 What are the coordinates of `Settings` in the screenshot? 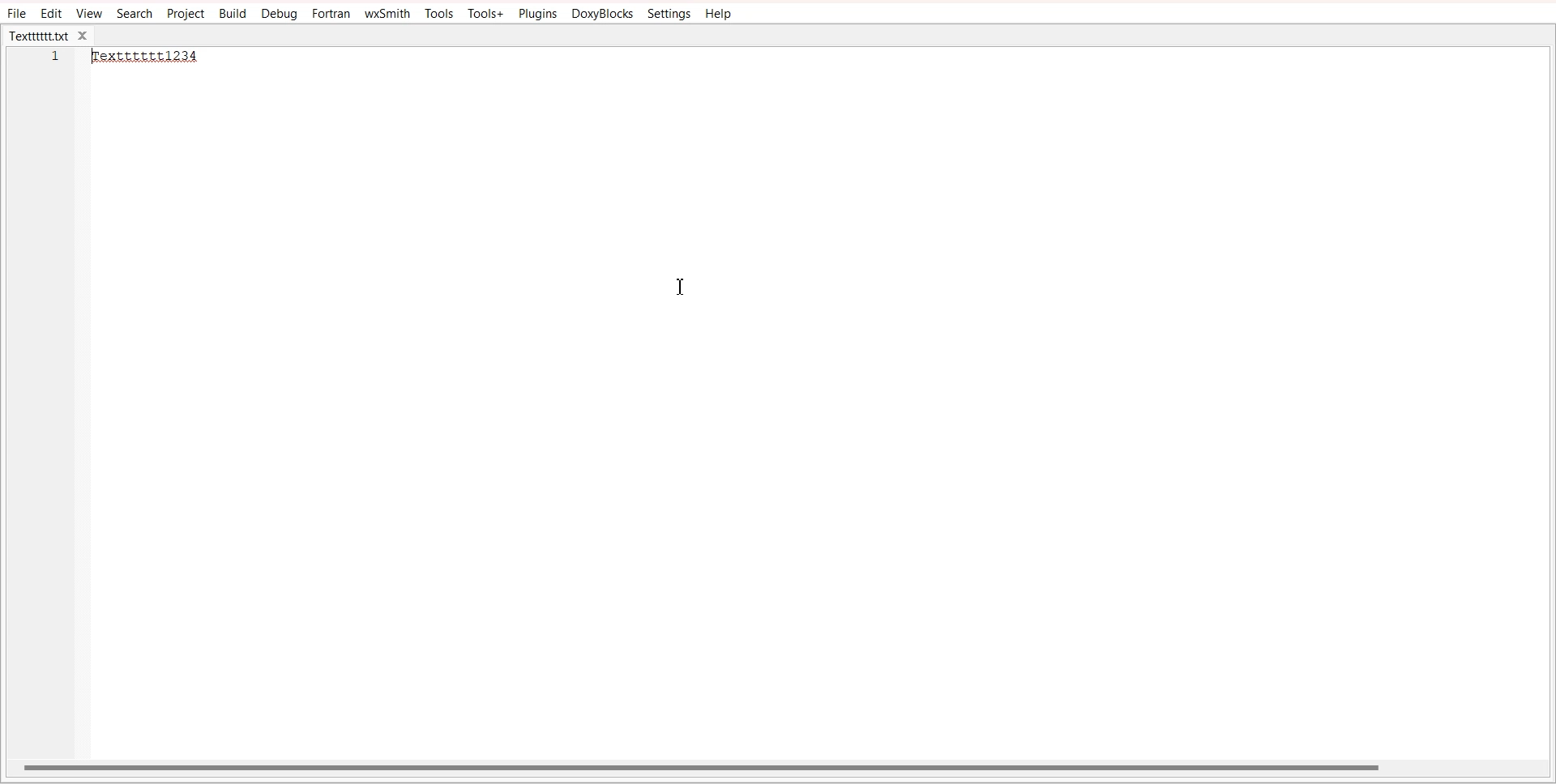 It's located at (669, 13).